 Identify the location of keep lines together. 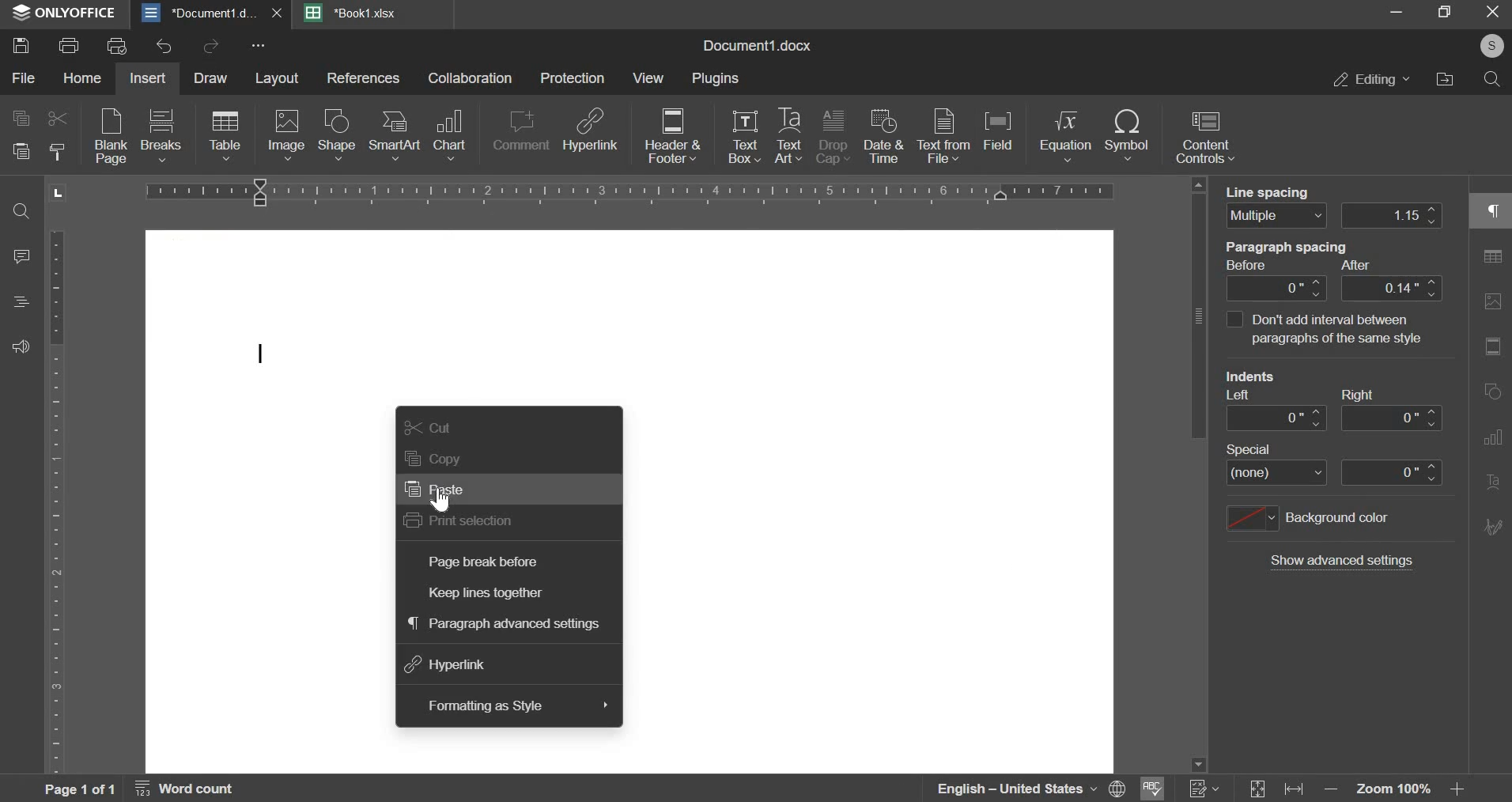
(487, 593).